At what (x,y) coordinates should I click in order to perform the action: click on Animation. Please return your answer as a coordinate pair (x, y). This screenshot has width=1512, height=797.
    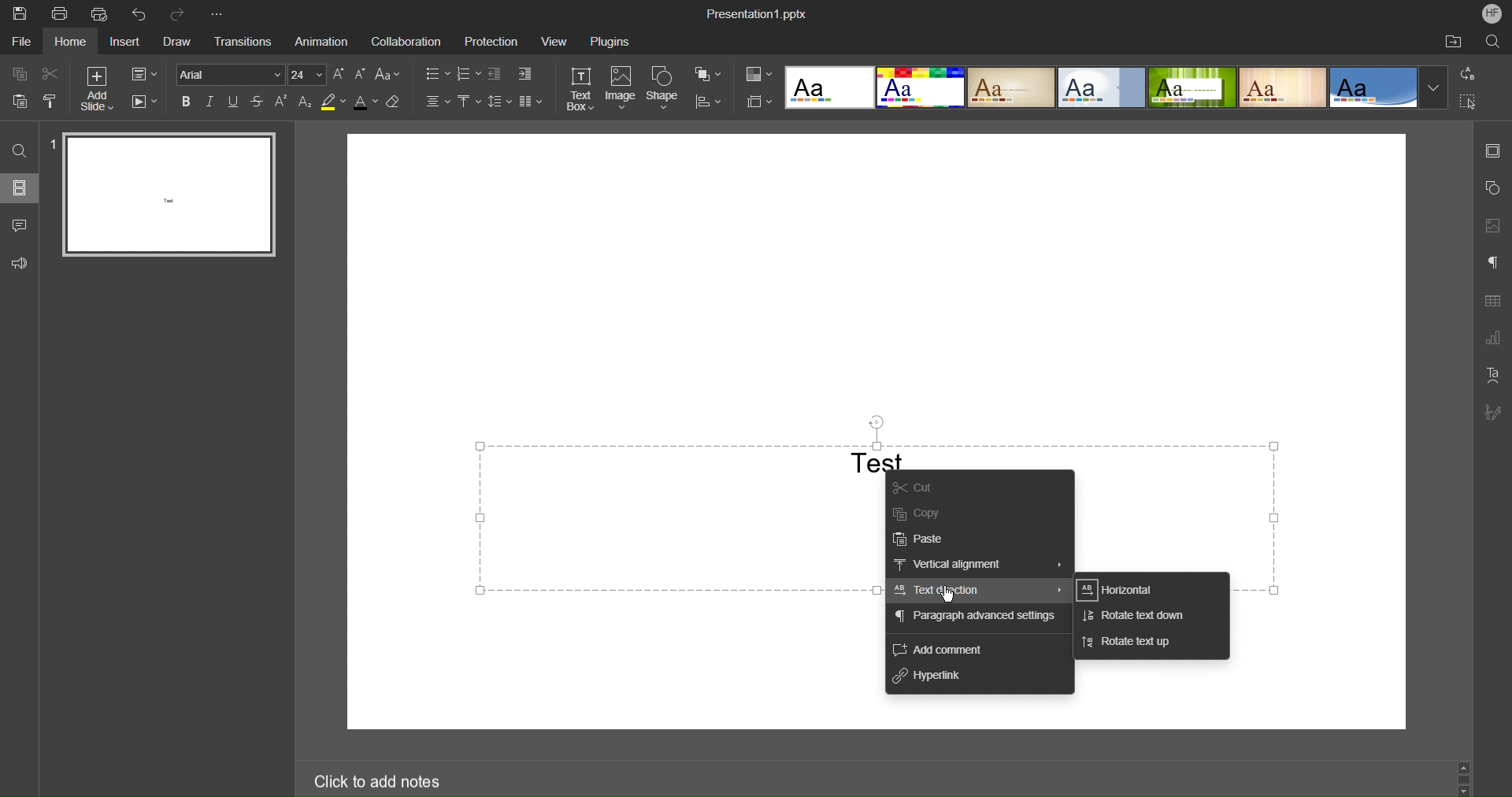
    Looking at the image, I should click on (323, 40).